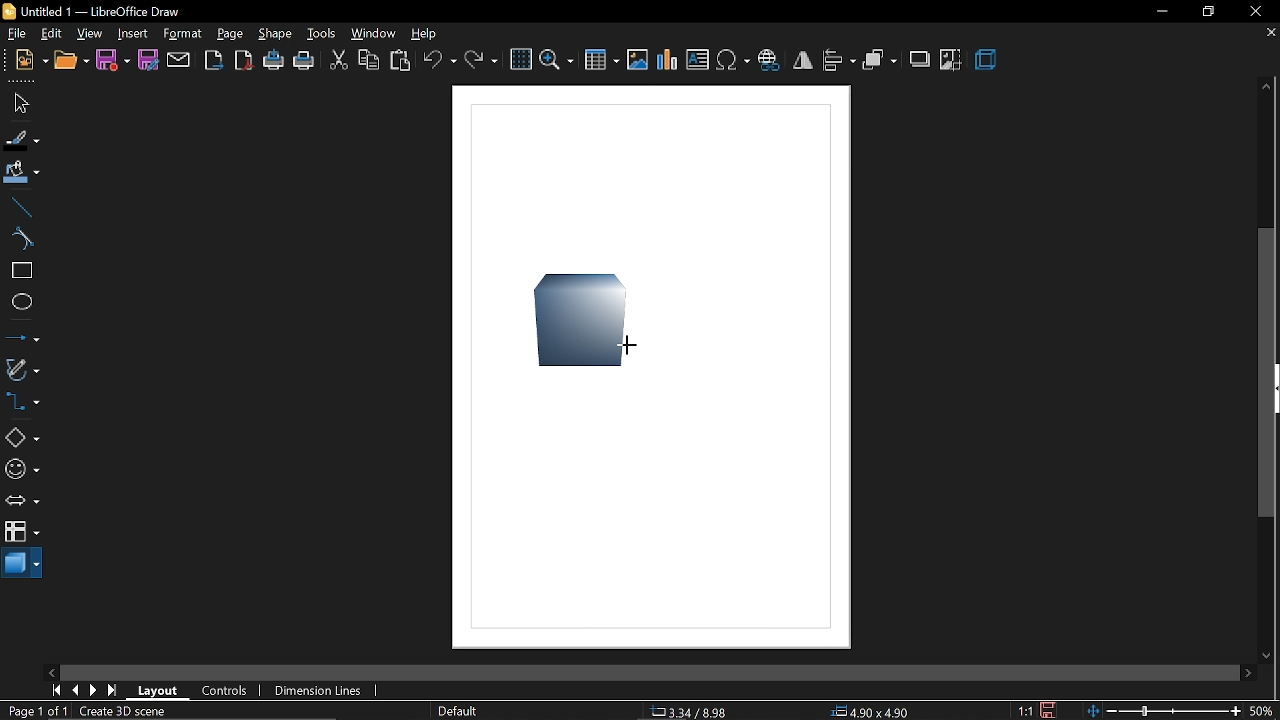  I want to click on Untitled 1 — LibreOffice Draw, so click(99, 12).